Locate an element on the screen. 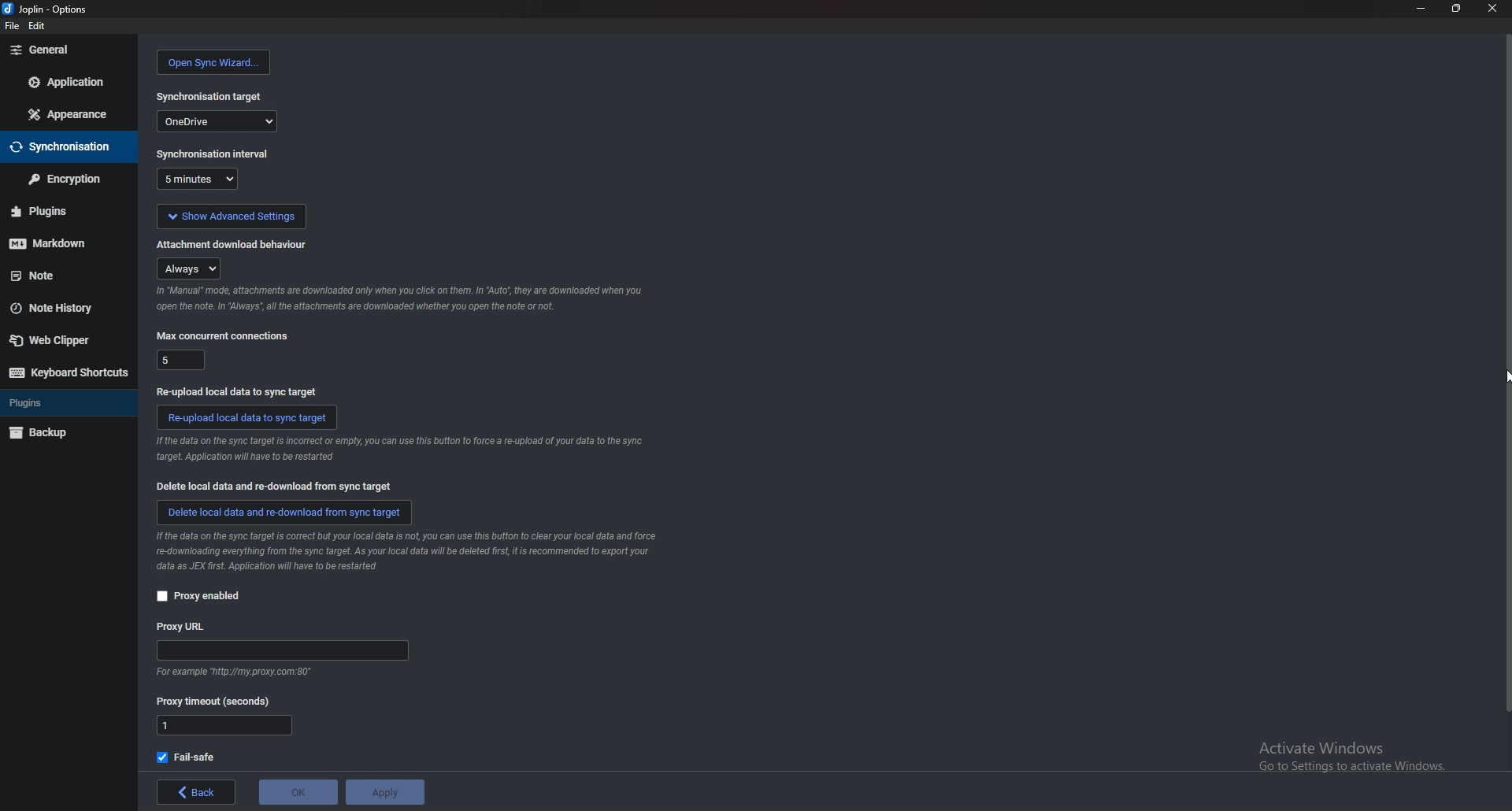  sync target is located at coordinates (207, 96).